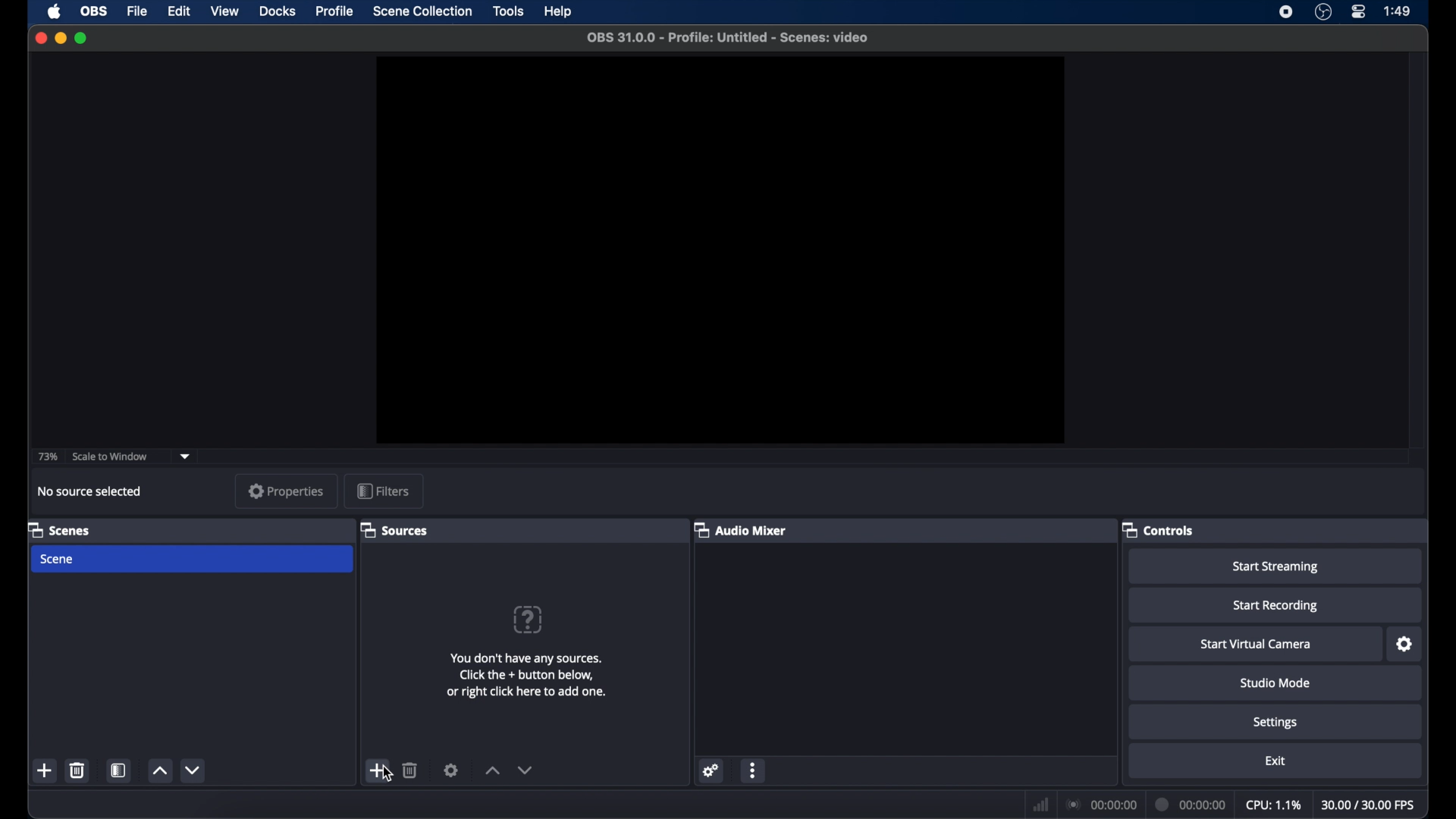 The height and width of the screenshot is (819, 1456). I want to click on scenes, so click(60, 529).